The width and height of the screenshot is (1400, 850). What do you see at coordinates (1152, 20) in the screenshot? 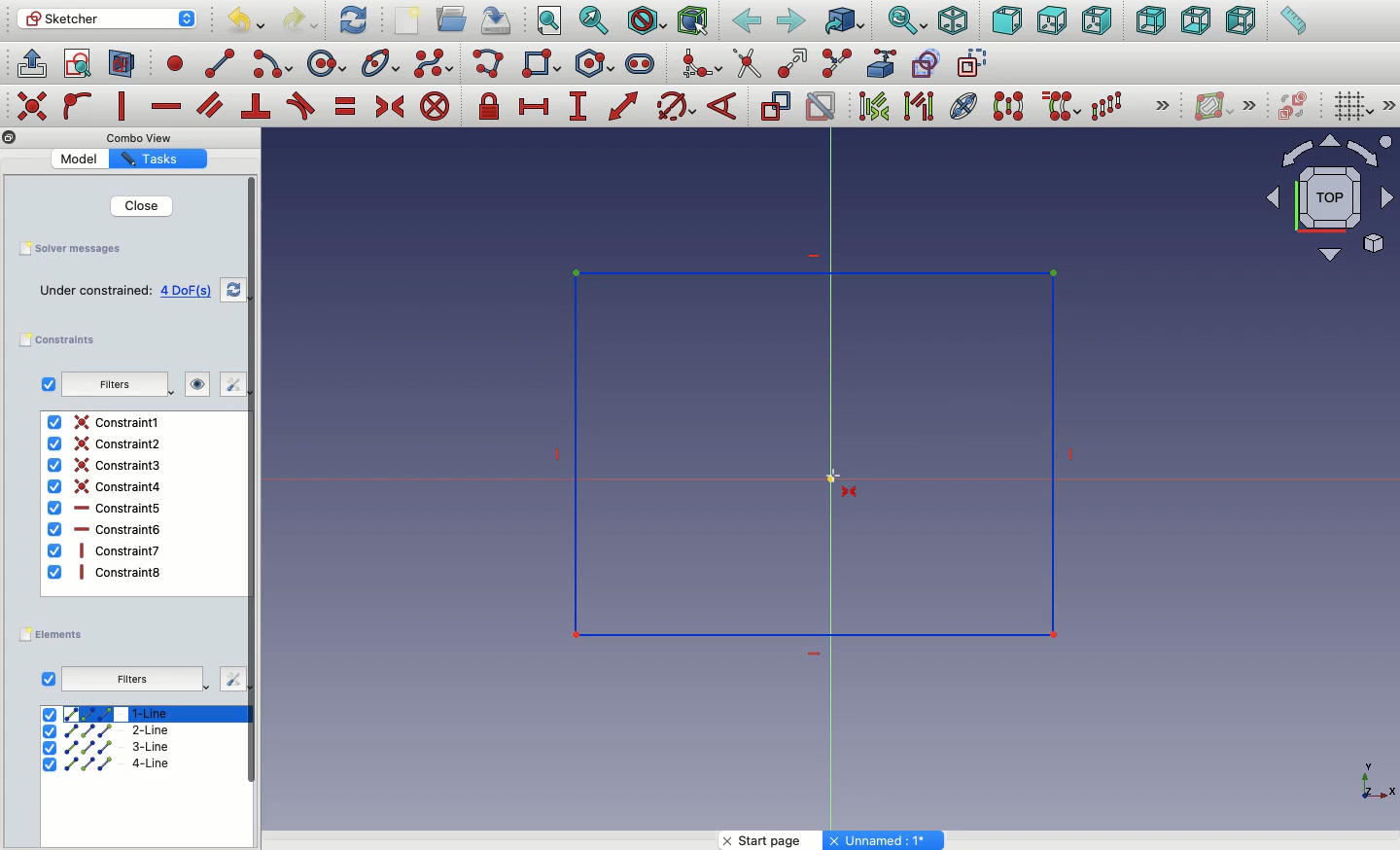
I see `Back` at bounding box center [1152, 20].